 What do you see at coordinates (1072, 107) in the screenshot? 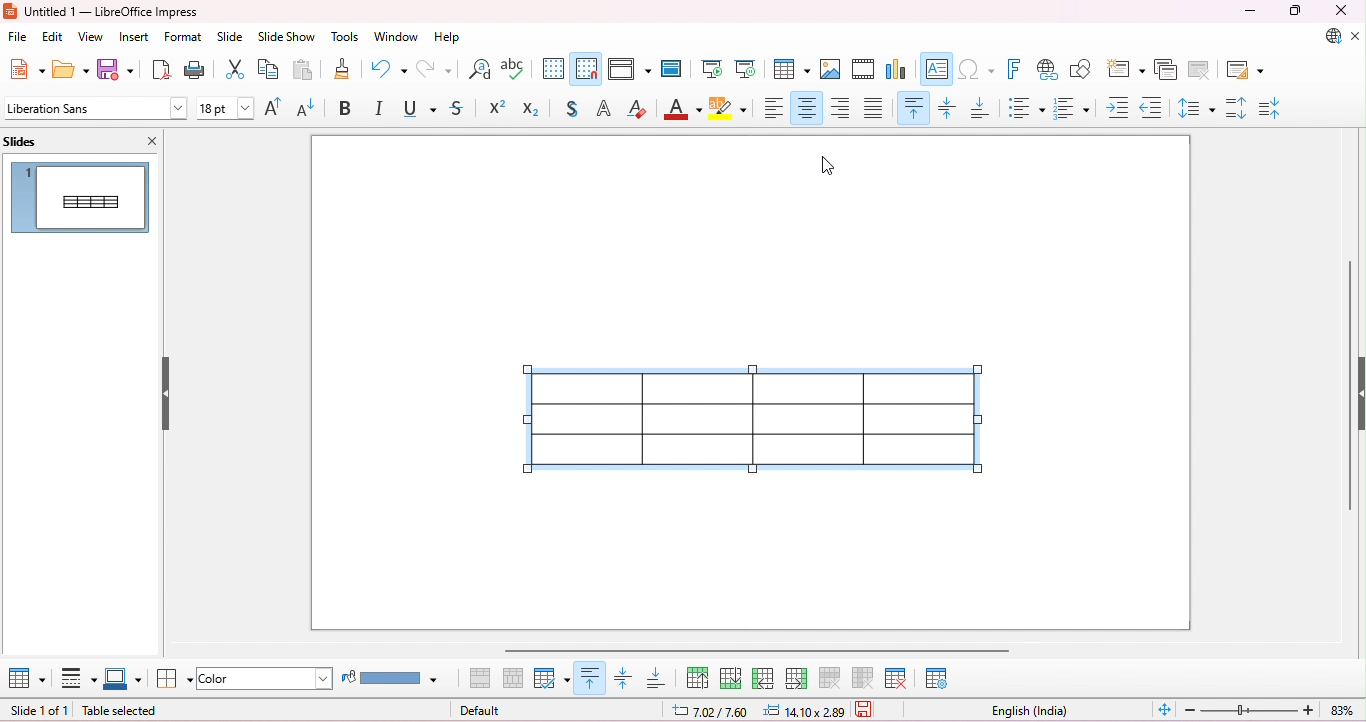
I see `numbered style` at bounding box center [1072, 107].